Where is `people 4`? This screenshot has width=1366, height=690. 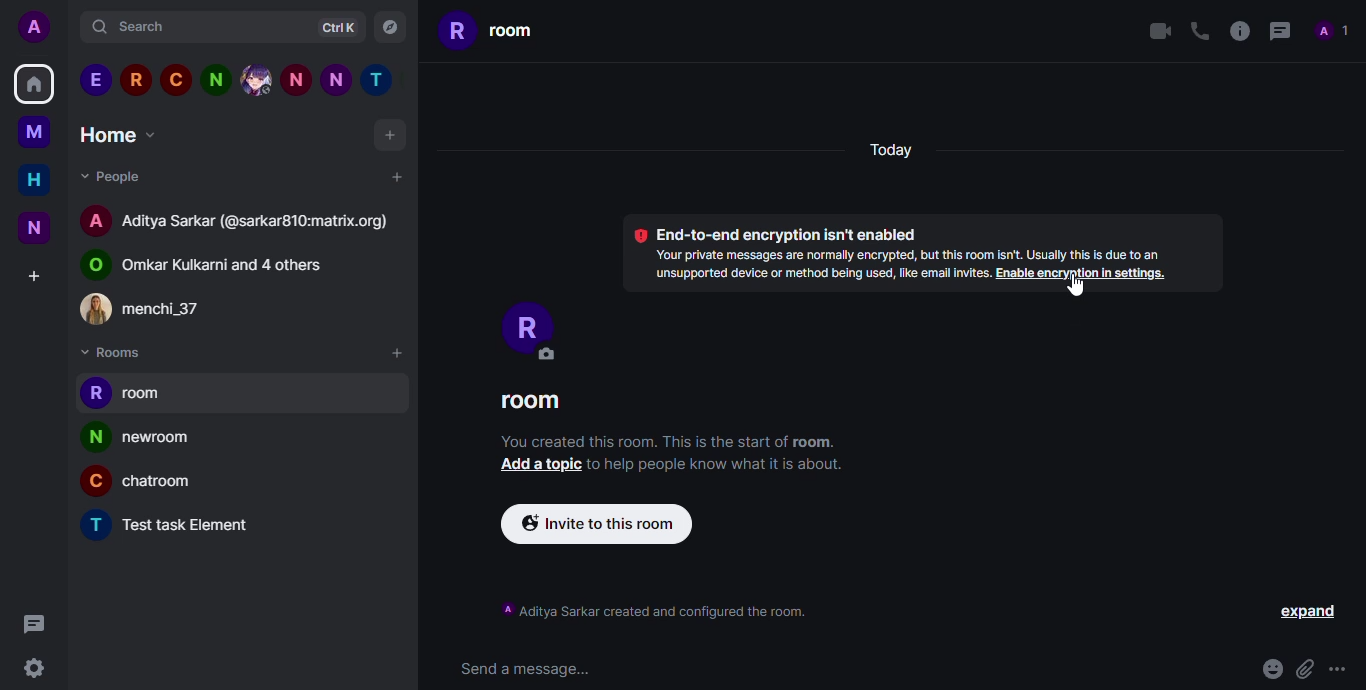
people 4 is located at coordinates (215, 79).